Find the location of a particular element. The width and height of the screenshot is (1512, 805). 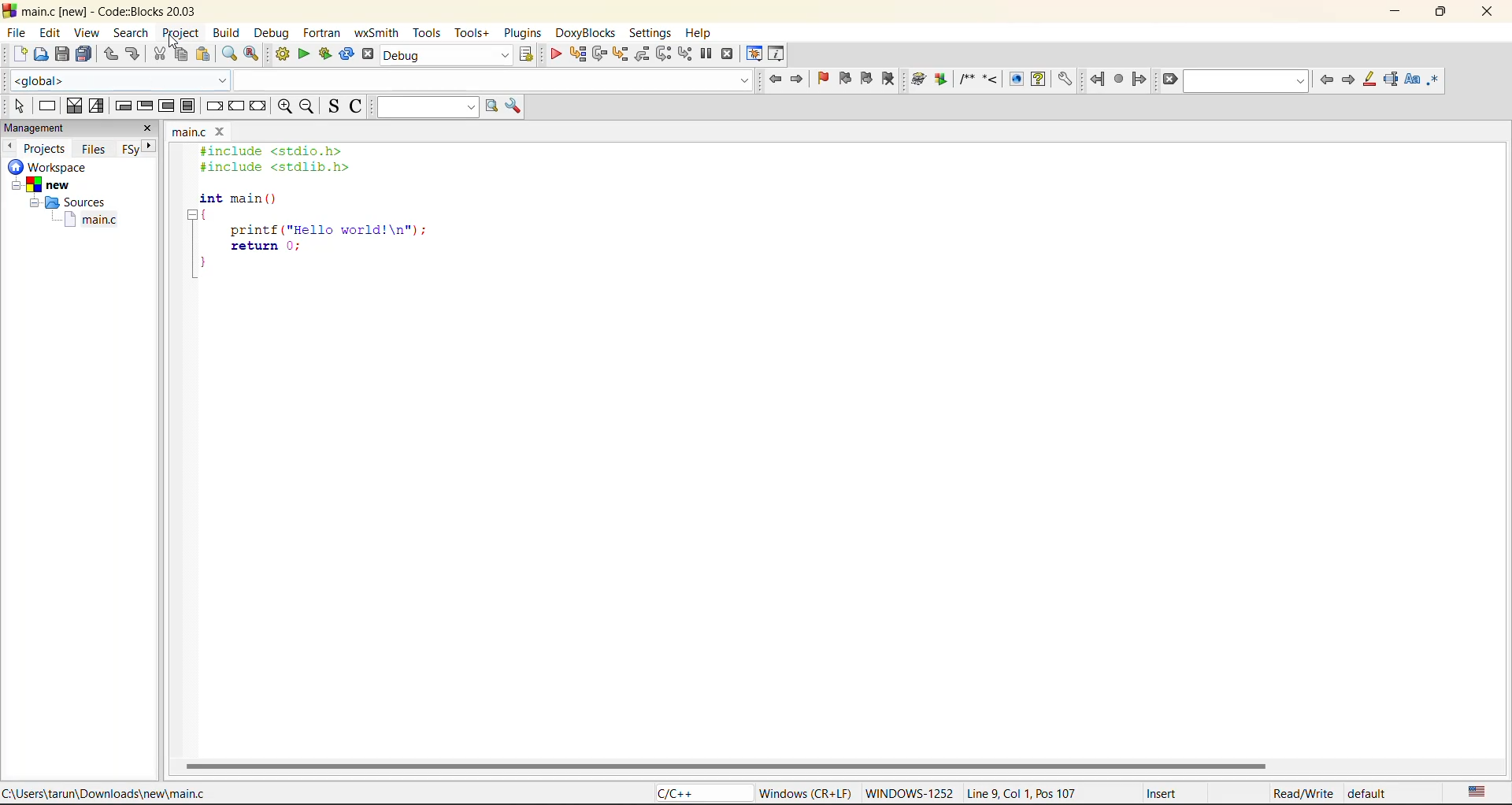

selection is located at coordinates (98, 106).